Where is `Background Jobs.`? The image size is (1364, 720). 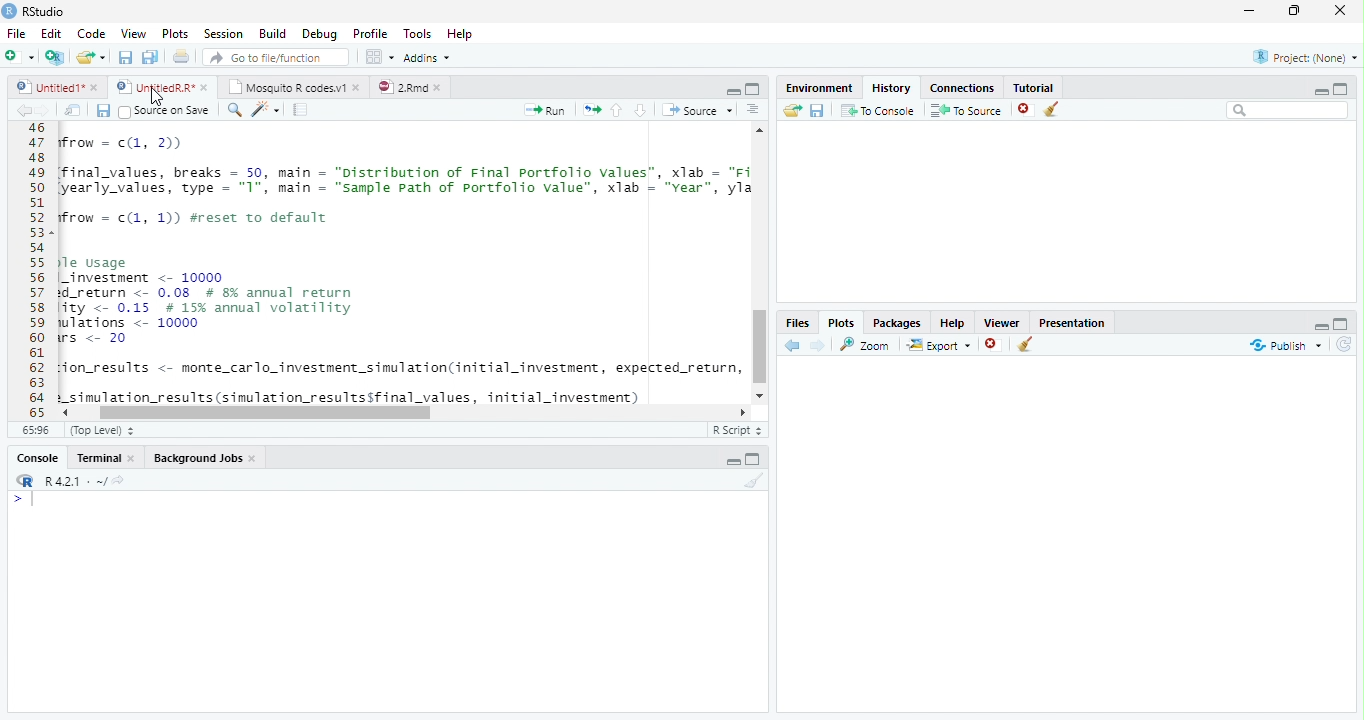
Background Jobs. is located at coordinates (206, 457).